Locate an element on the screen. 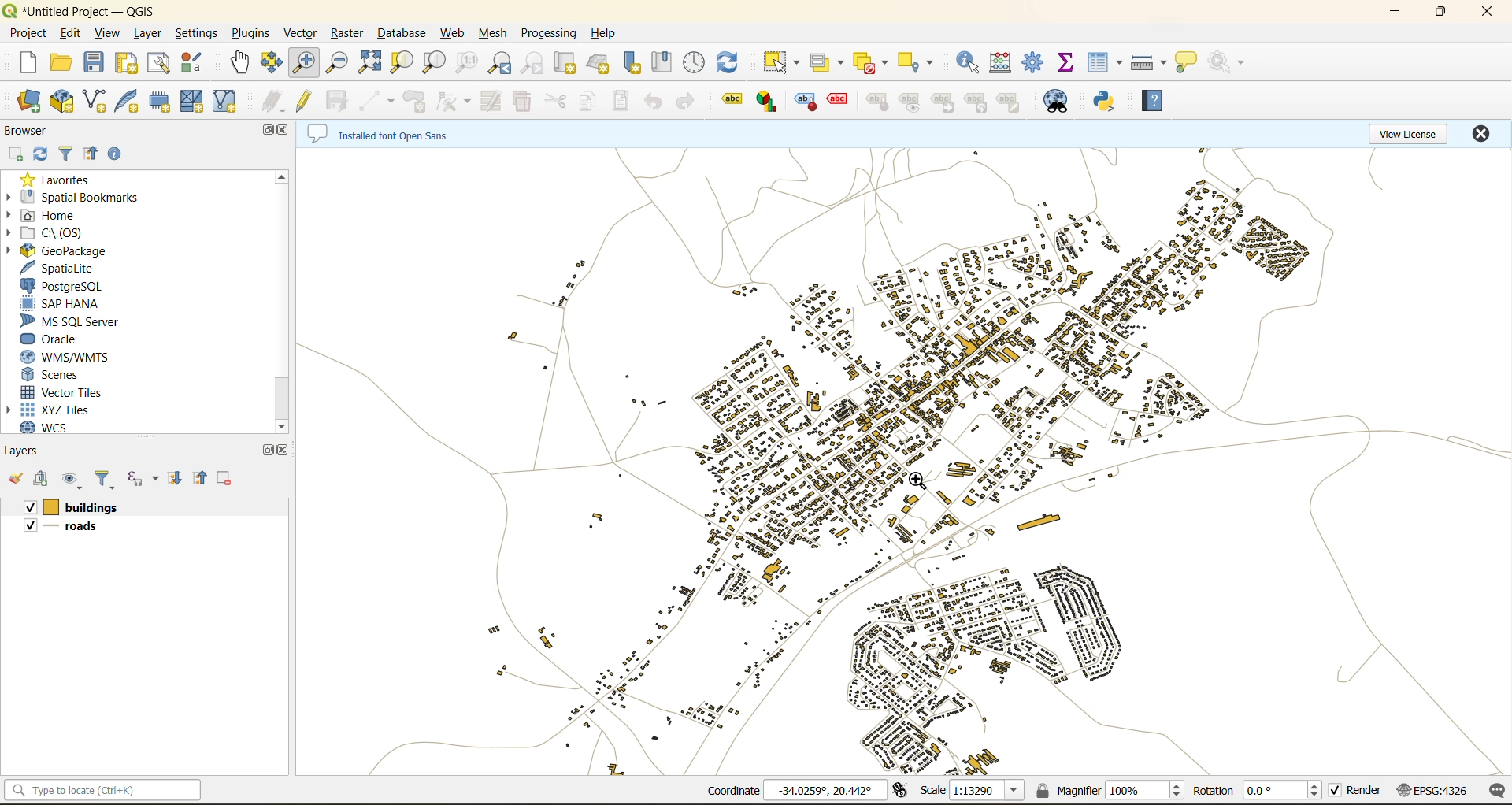 The image size is (1512, 805). view license is located at coordinates (1408, 132).